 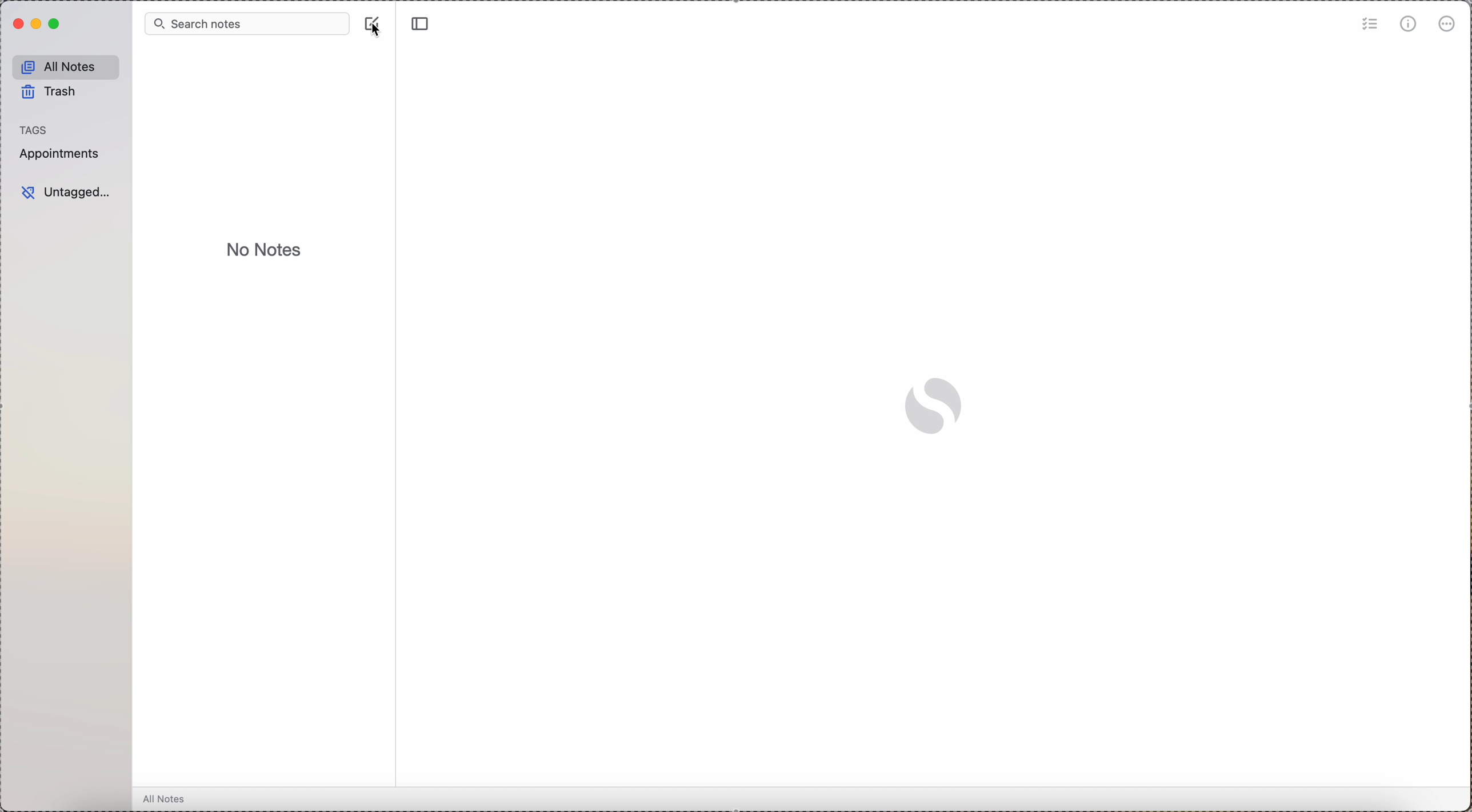 What do you see at coordinates (66, 66) in the screenshot?
I see `all notes` at bounding box center [66, 66].